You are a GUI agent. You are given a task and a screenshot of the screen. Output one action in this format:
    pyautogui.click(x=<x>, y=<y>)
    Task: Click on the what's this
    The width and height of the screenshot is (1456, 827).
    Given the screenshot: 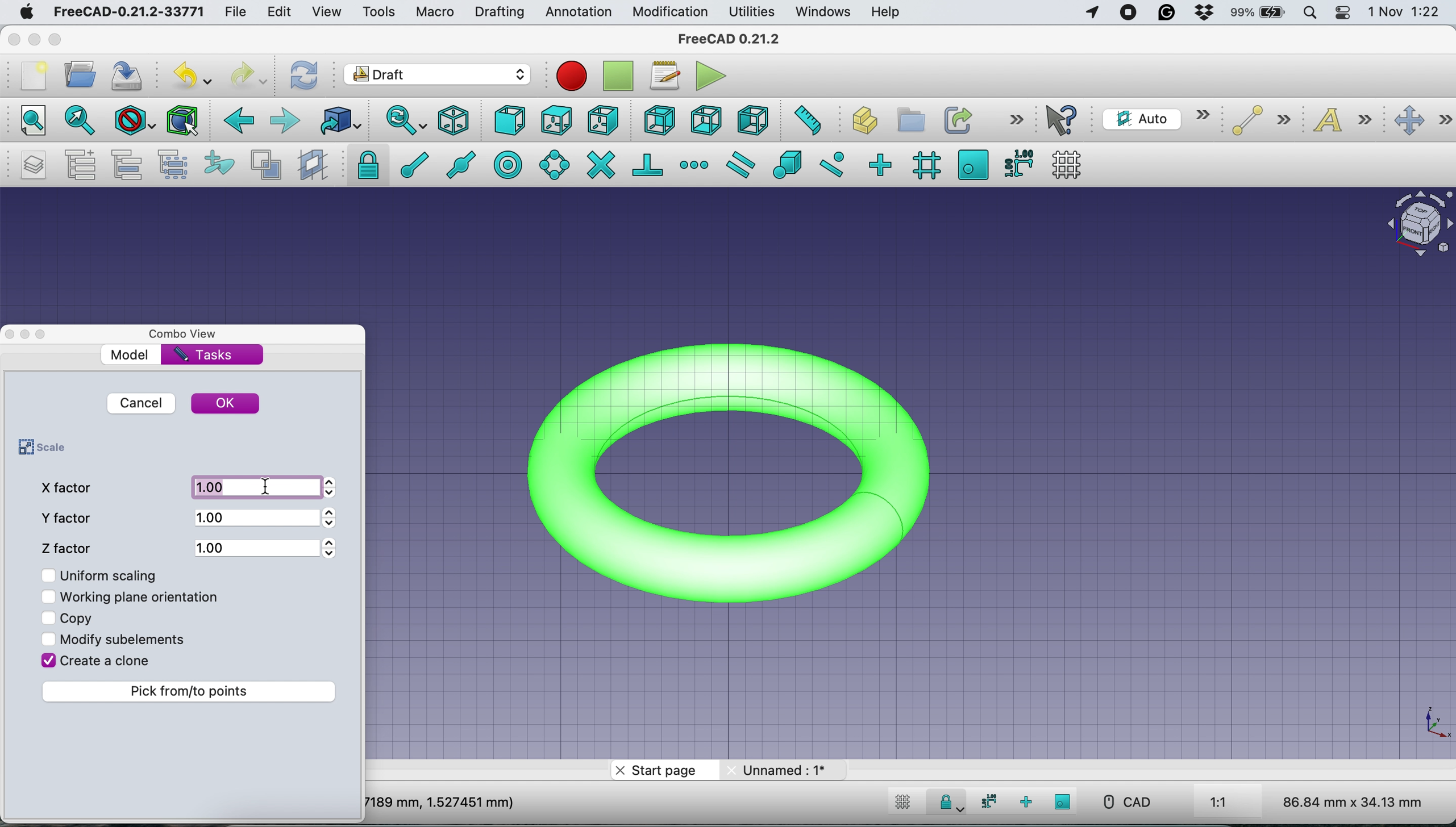 What is the action you would take?
    pyautogui.click(x=1065, y=120)
    